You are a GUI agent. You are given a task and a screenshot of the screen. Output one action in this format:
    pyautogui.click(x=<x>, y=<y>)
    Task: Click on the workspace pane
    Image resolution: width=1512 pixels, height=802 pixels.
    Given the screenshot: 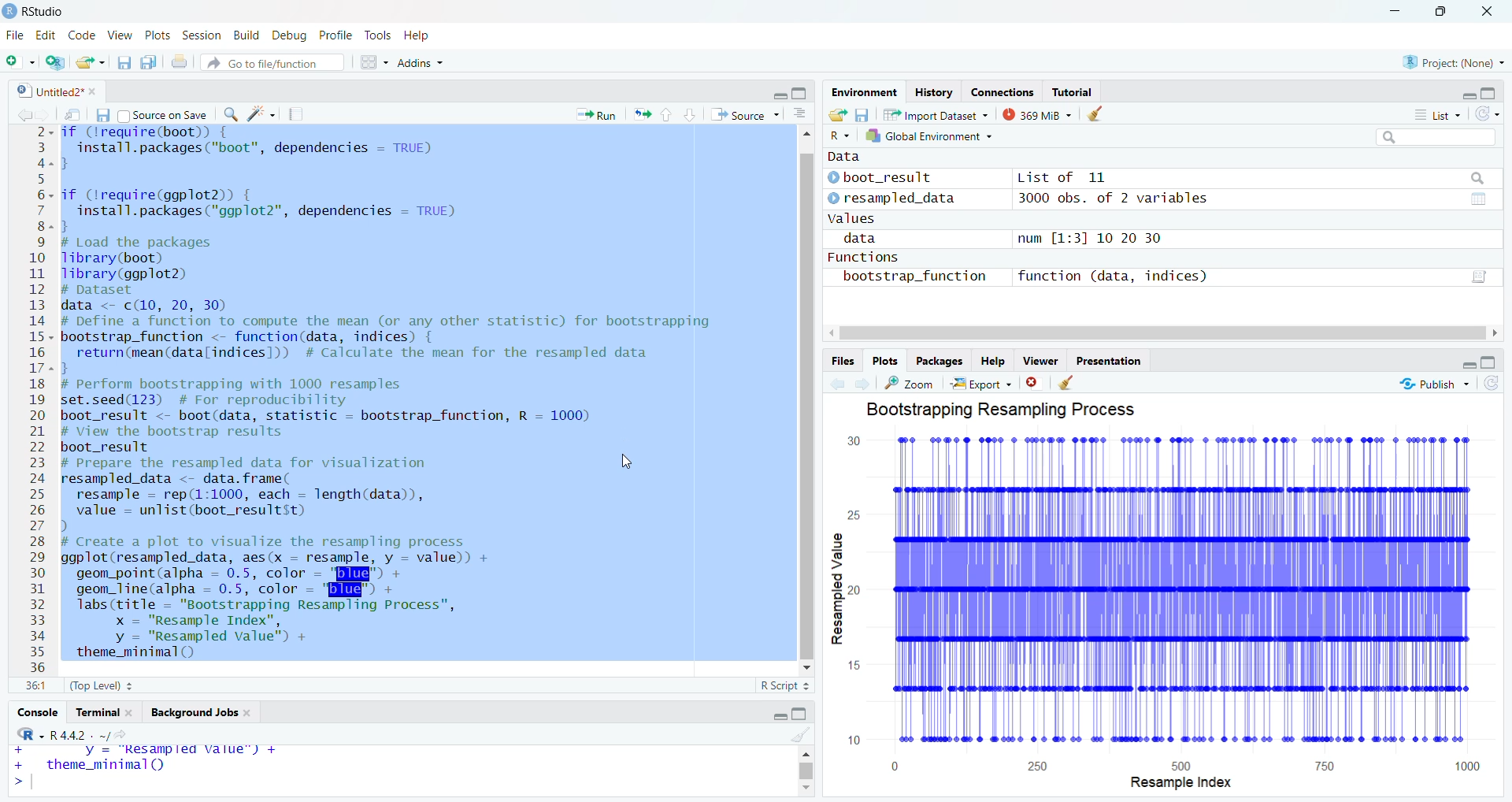 What is the action you would take?
    pyautogui.click(x=375, y=60)
    